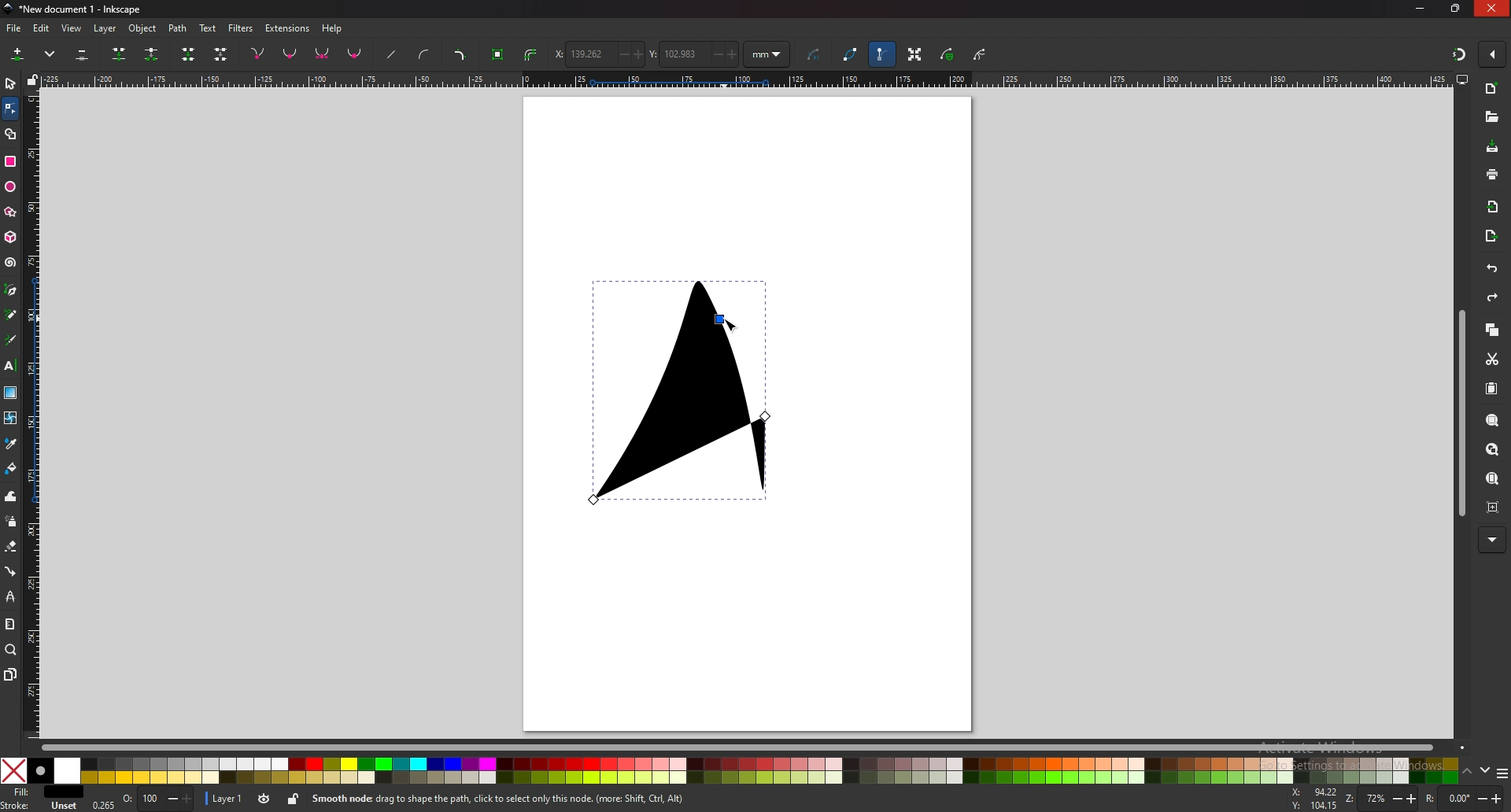  Describe the element at coordinates (815, 55) in the screenshot. I see `next path effect parameter` at that location.